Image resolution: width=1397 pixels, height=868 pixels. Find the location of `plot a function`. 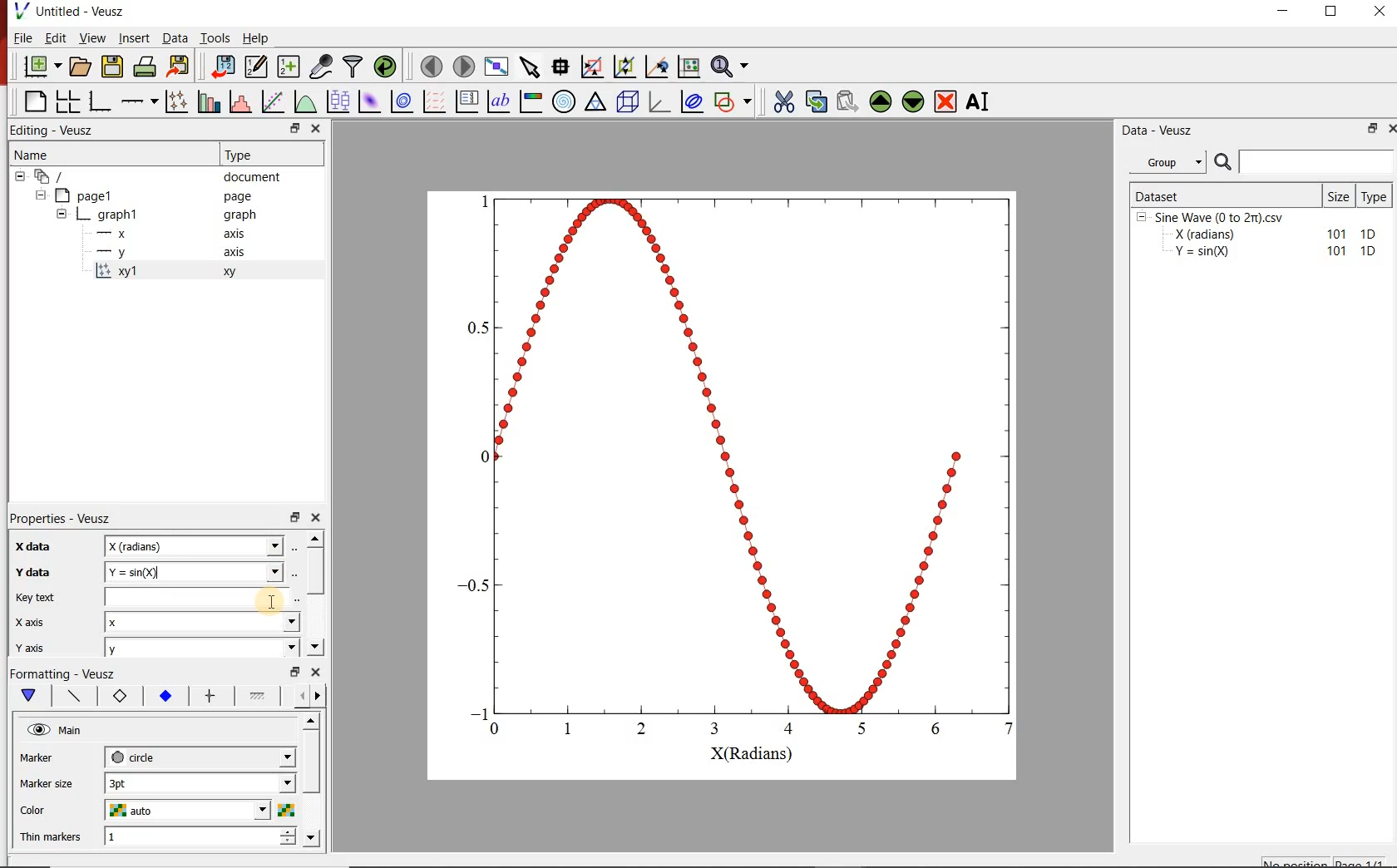

plot a function is located at coordinates (307, 101).